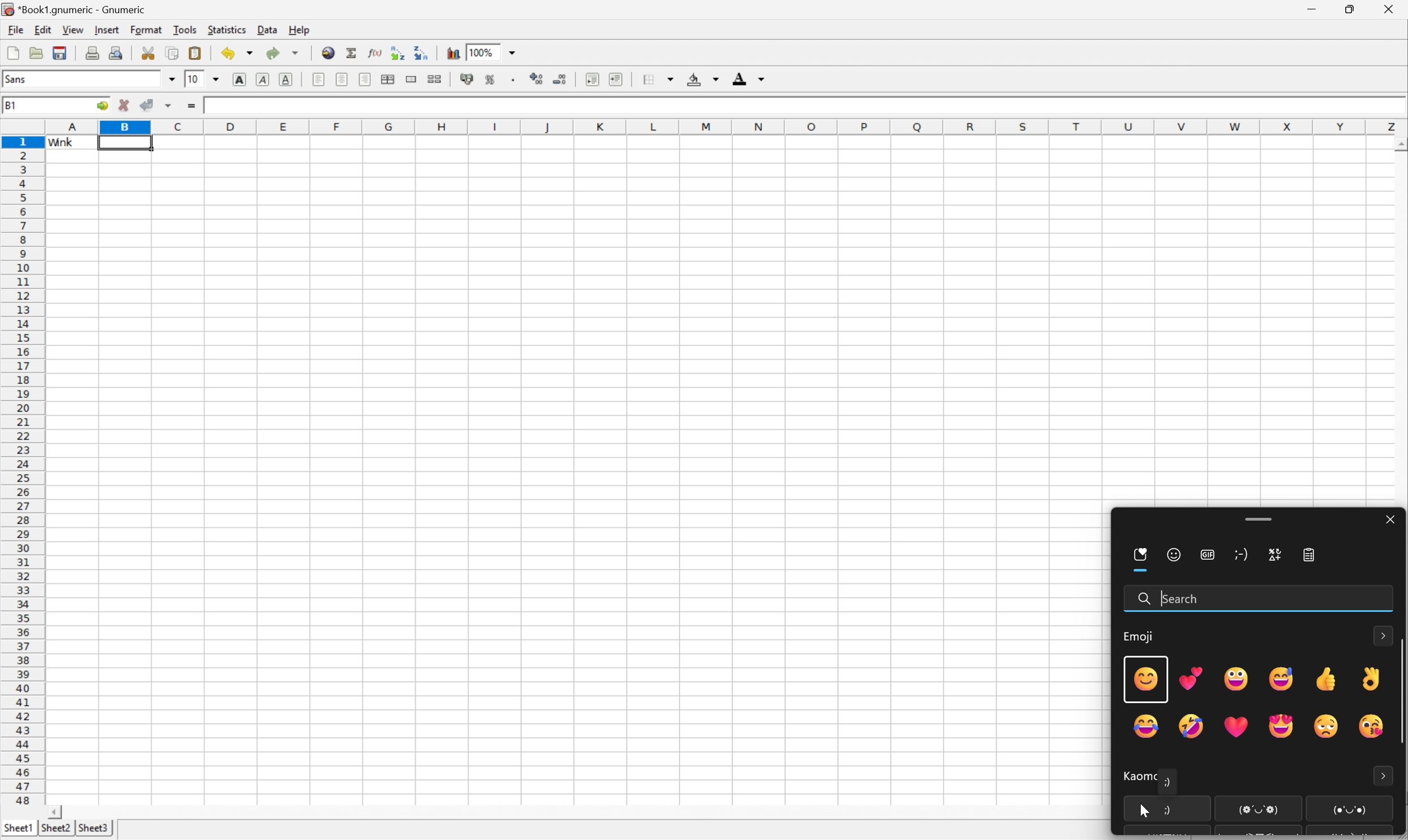 The width and height of the screenshot is (1408, 840). I want to click on file, so click(15, 29).